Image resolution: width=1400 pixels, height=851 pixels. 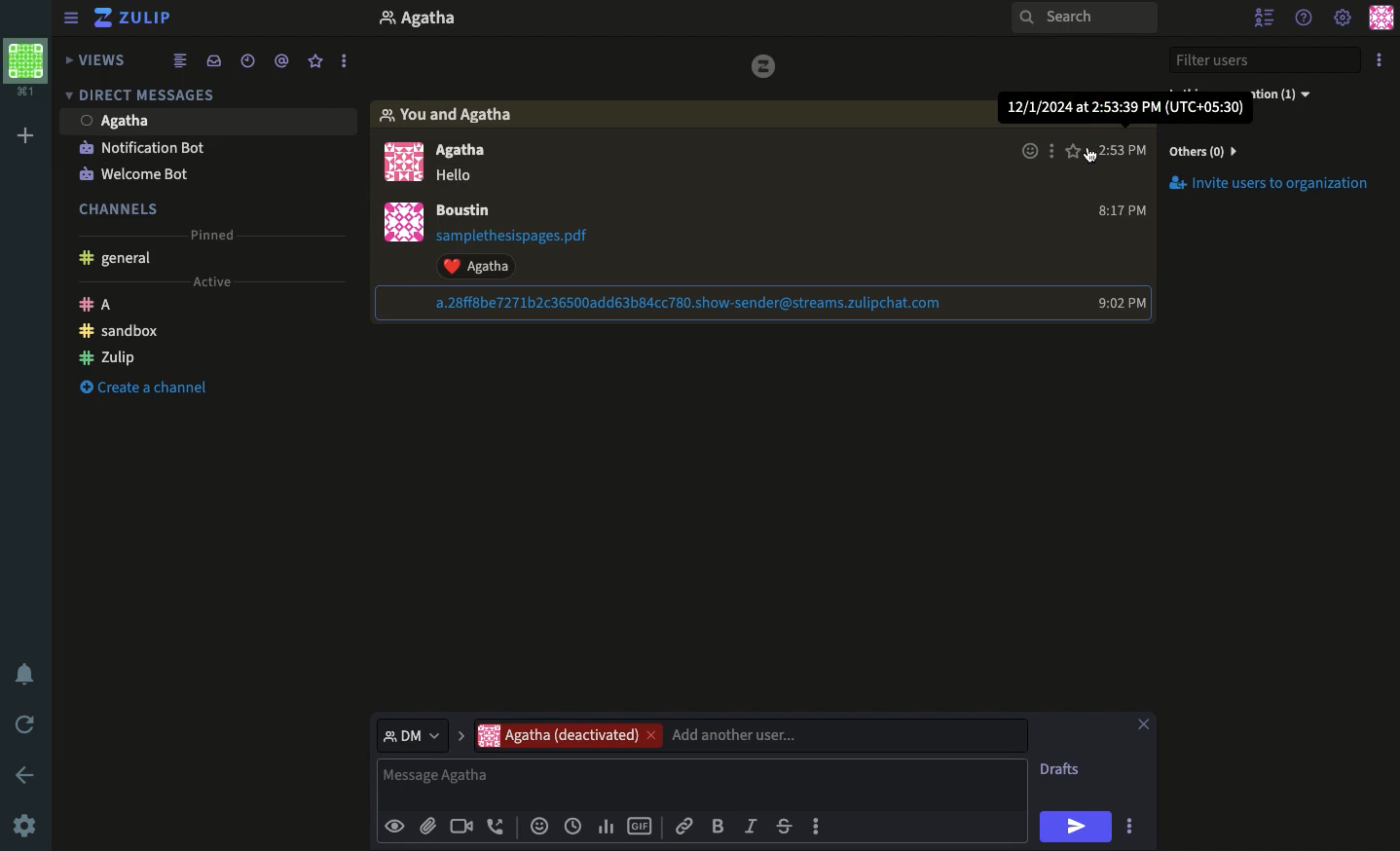 What do you see at coordinates (519, 238) in the screenshot?
I see `File attachment` at bounding box center [519, 238].